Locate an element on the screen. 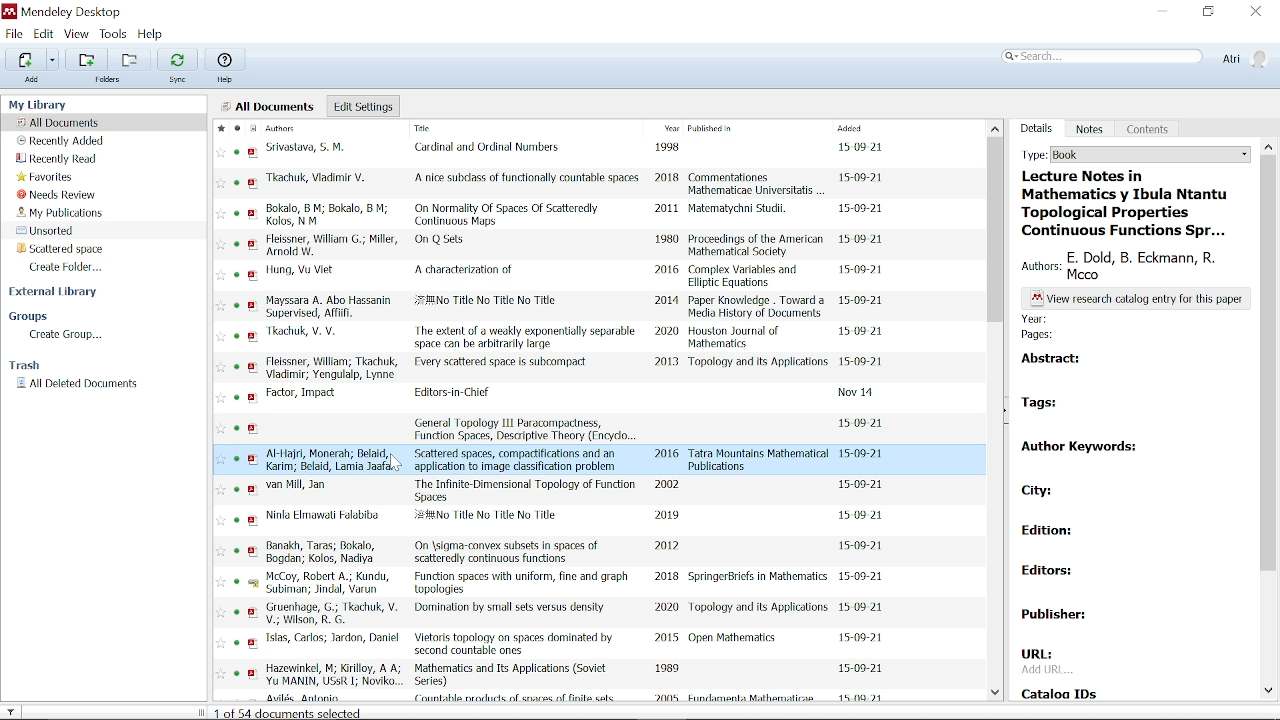 This screenshot has height=720, width=1280. title is located at coordinates (519, 459).